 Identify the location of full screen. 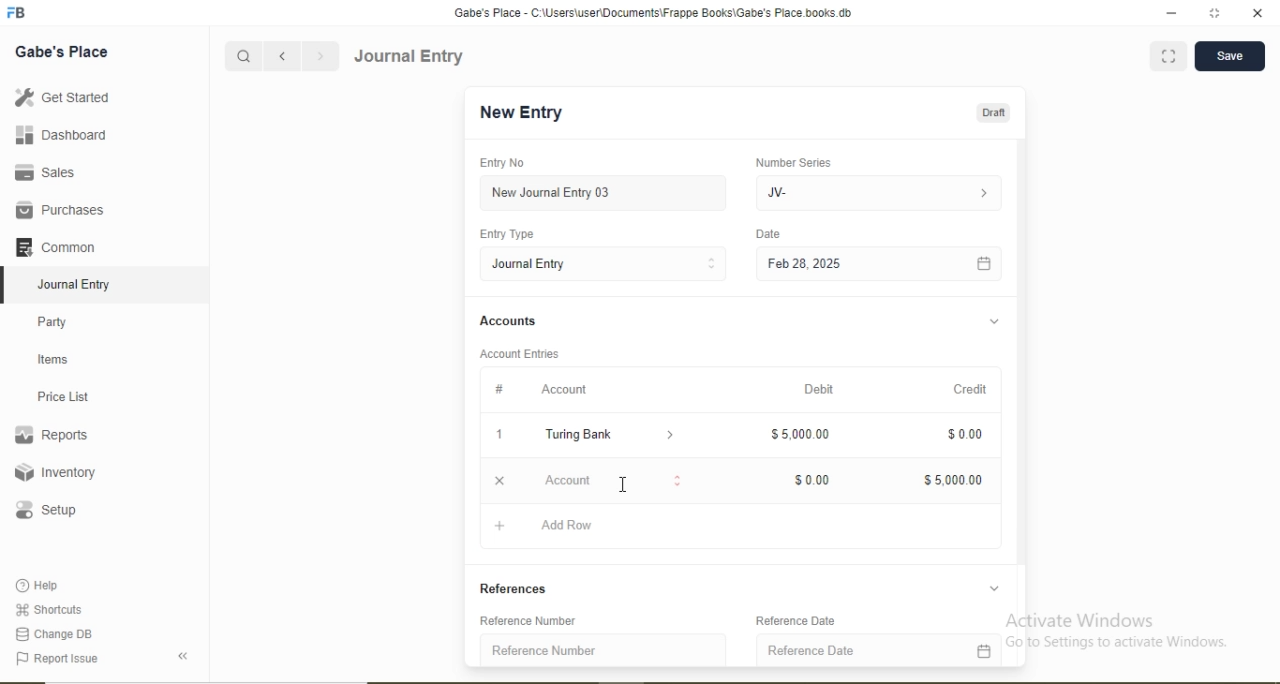
(1215, 13).